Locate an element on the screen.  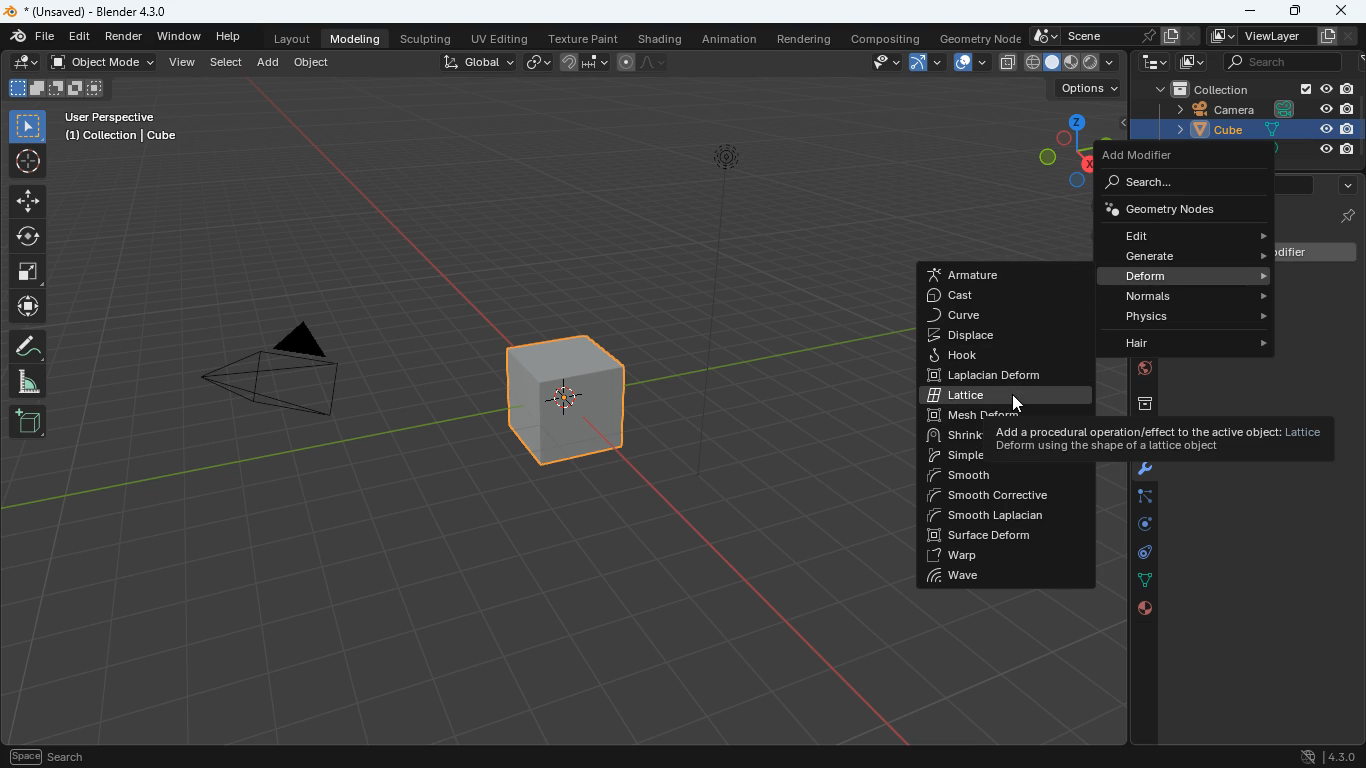
pan view is located at coordinates (39, 755).